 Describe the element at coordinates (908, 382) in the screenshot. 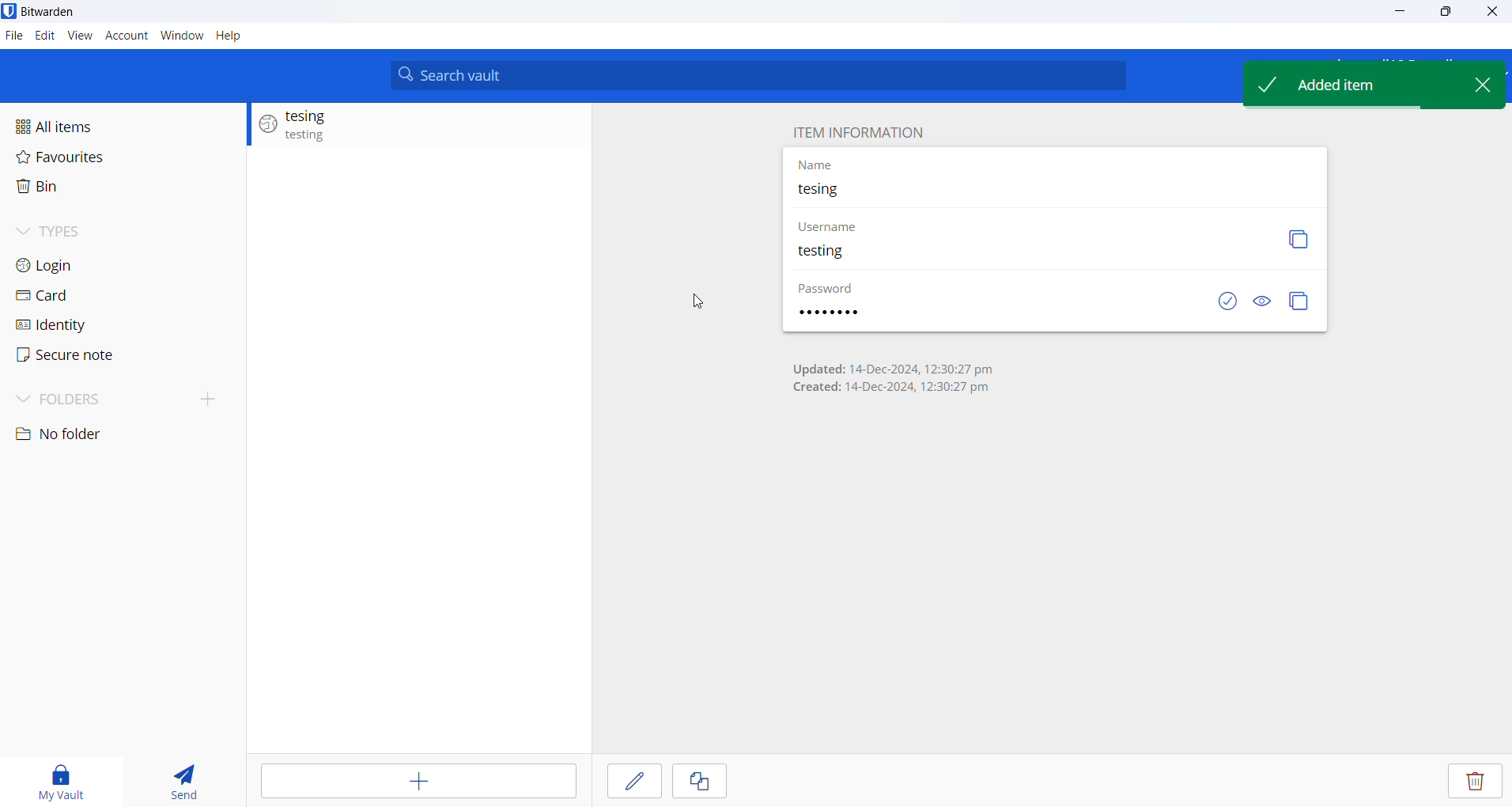

I see `updation and creation date` at that location.